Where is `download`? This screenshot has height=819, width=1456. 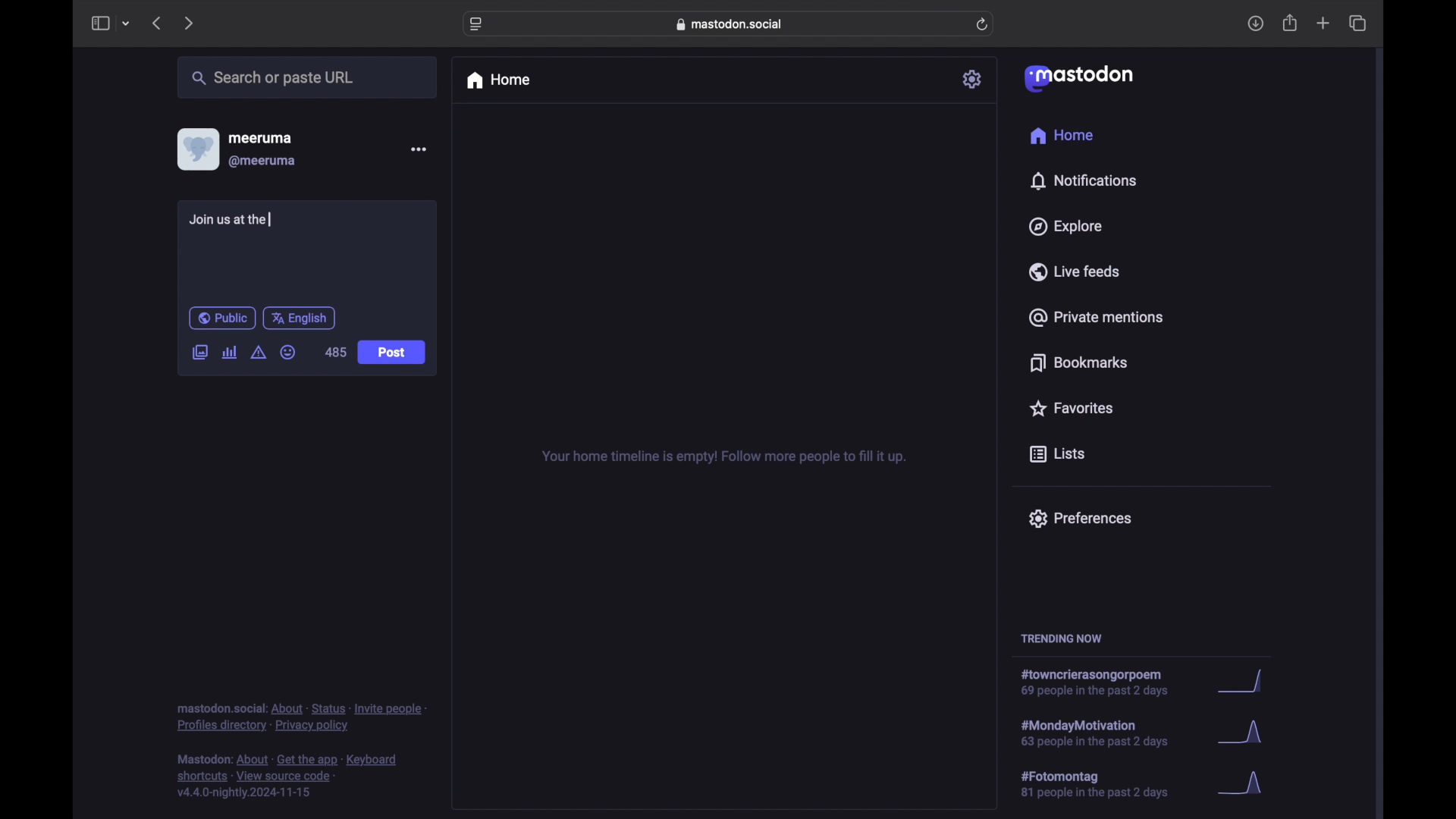
download is located at coordinates (1256, 24).